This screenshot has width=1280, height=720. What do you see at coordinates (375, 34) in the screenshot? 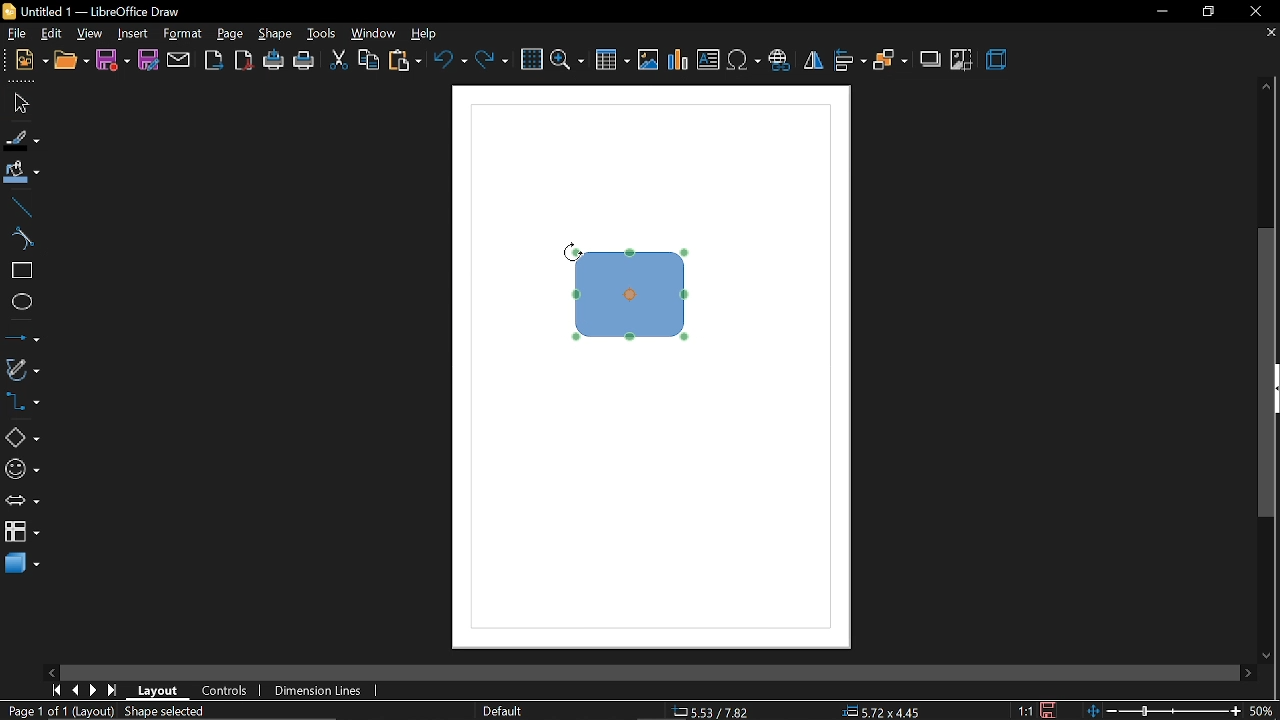
I see `window` at bounding box center [375, 34].